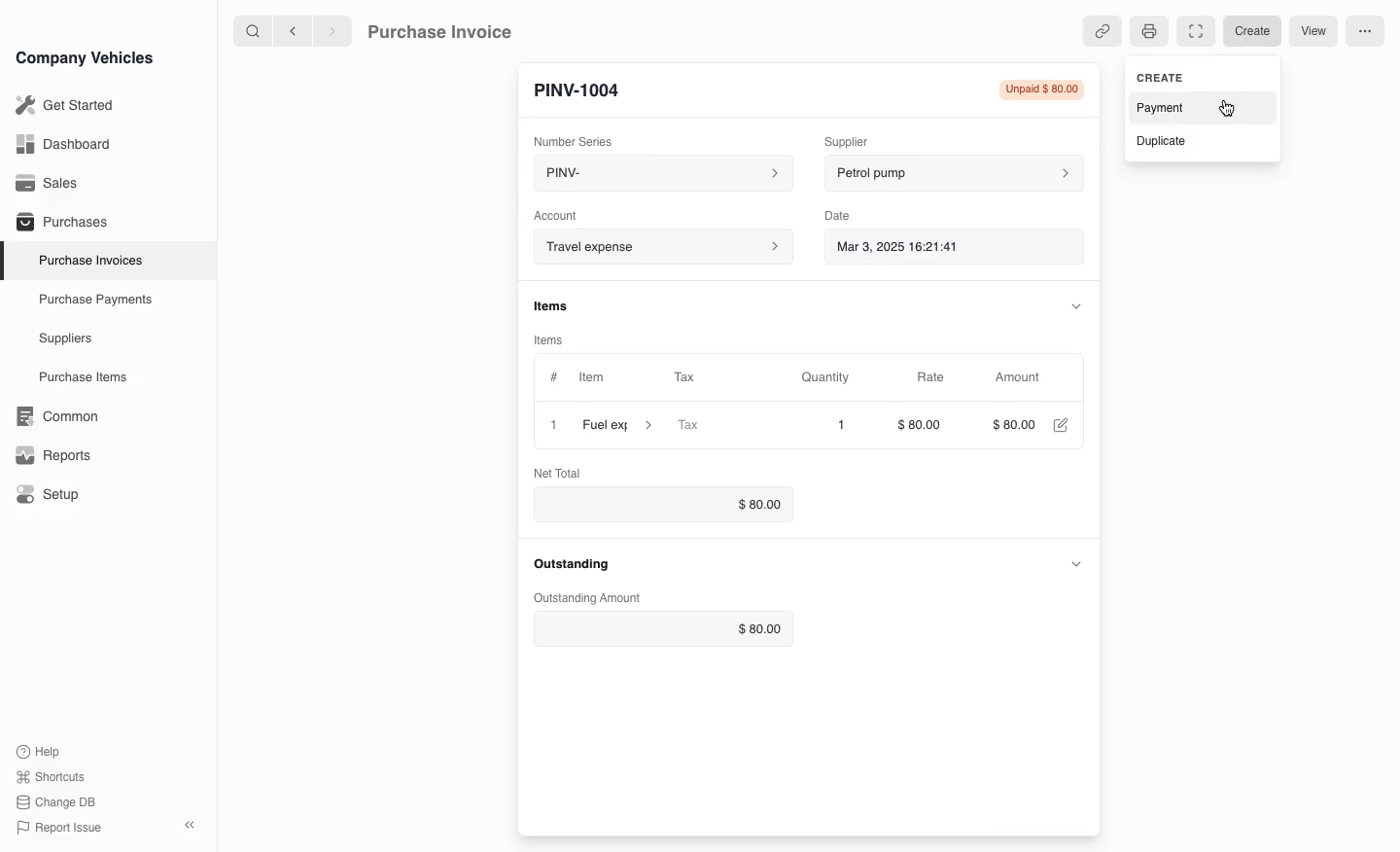  Describe the element at coordinates (1364, 32) in the screenshot. I see `options` at that location.